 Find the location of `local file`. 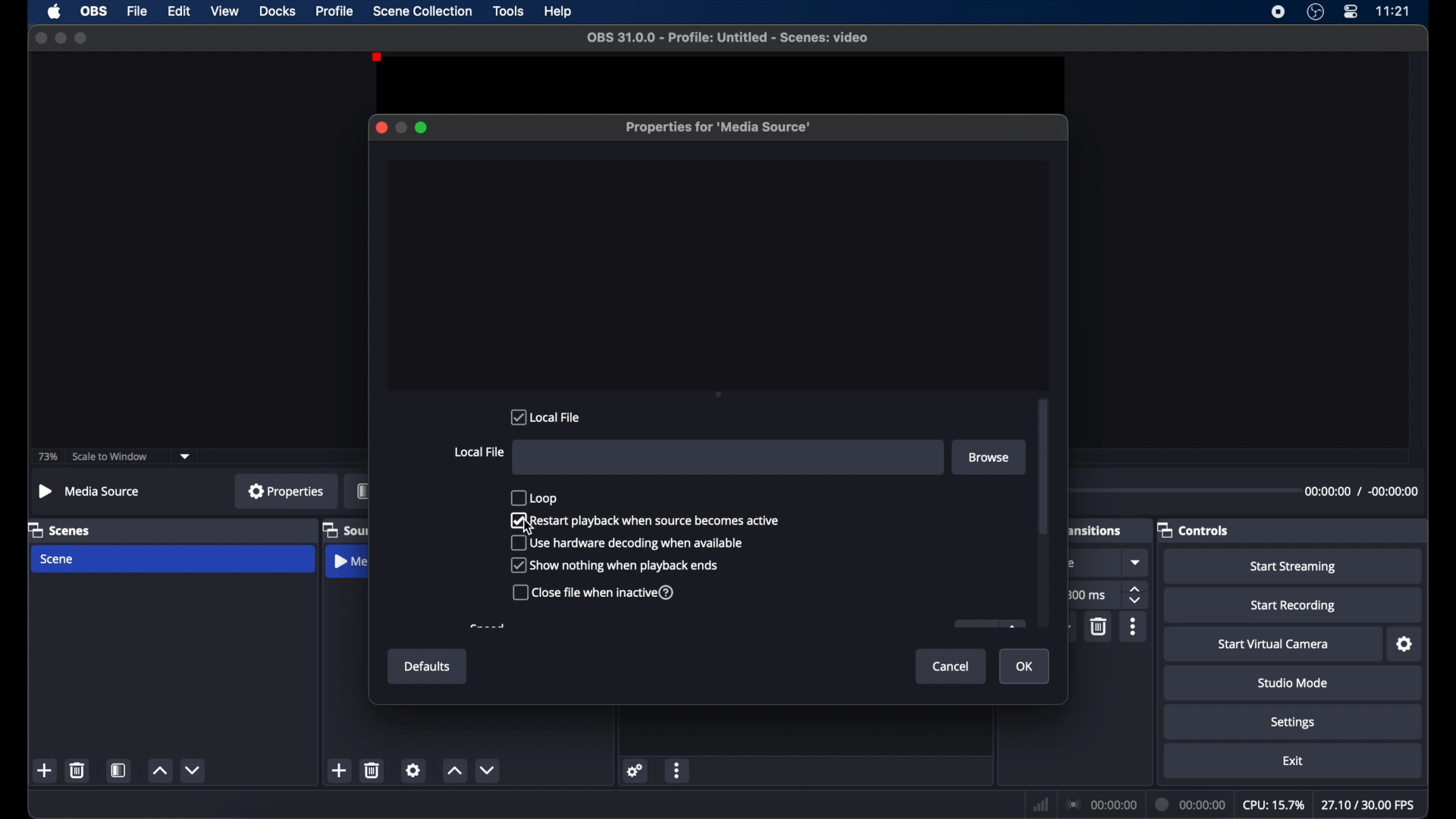

local file is located at coordinates (545, 416).